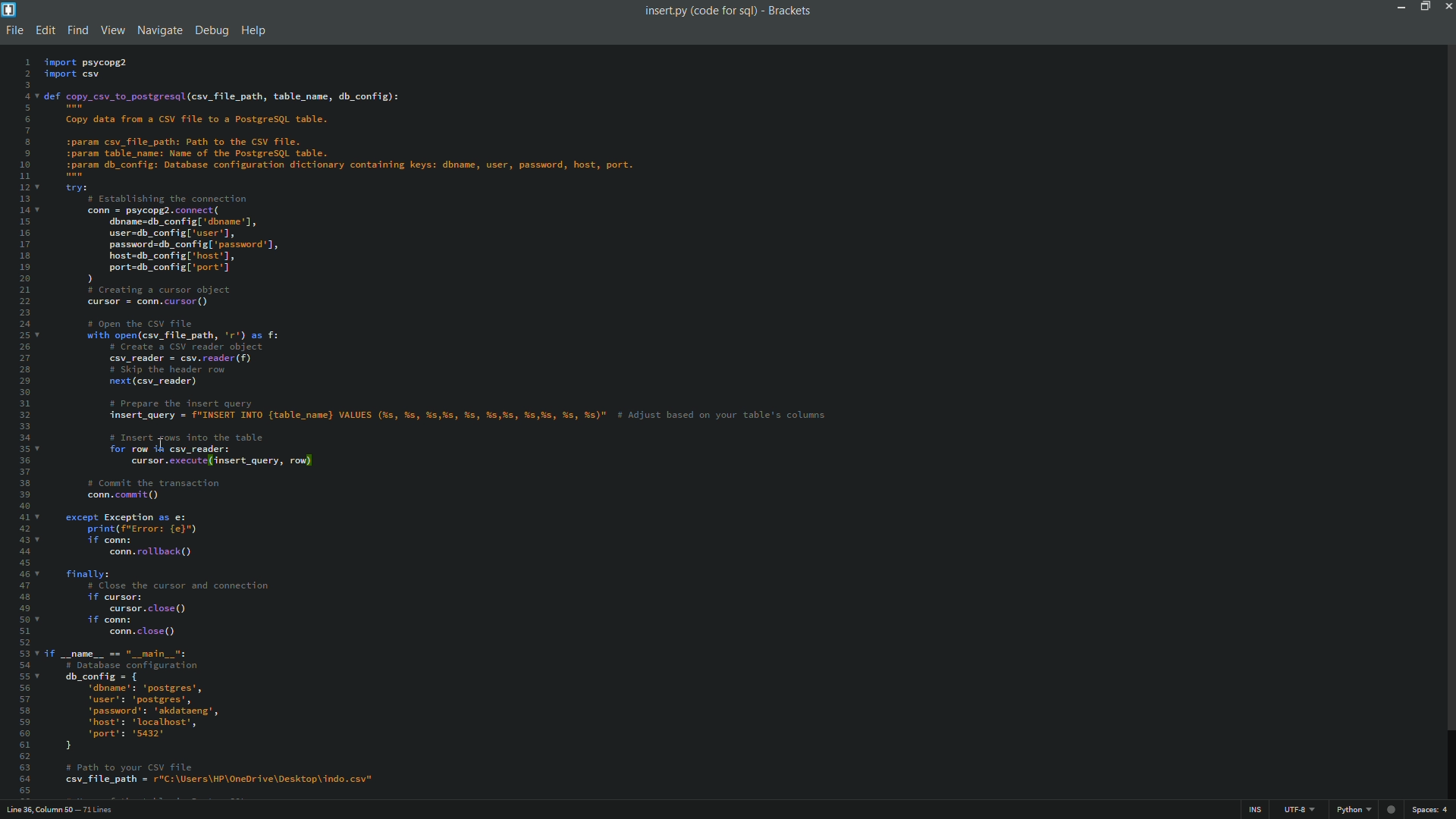  Describe the element at coordinates (13, 31) in the screenshot. I see `file menu` at that location.